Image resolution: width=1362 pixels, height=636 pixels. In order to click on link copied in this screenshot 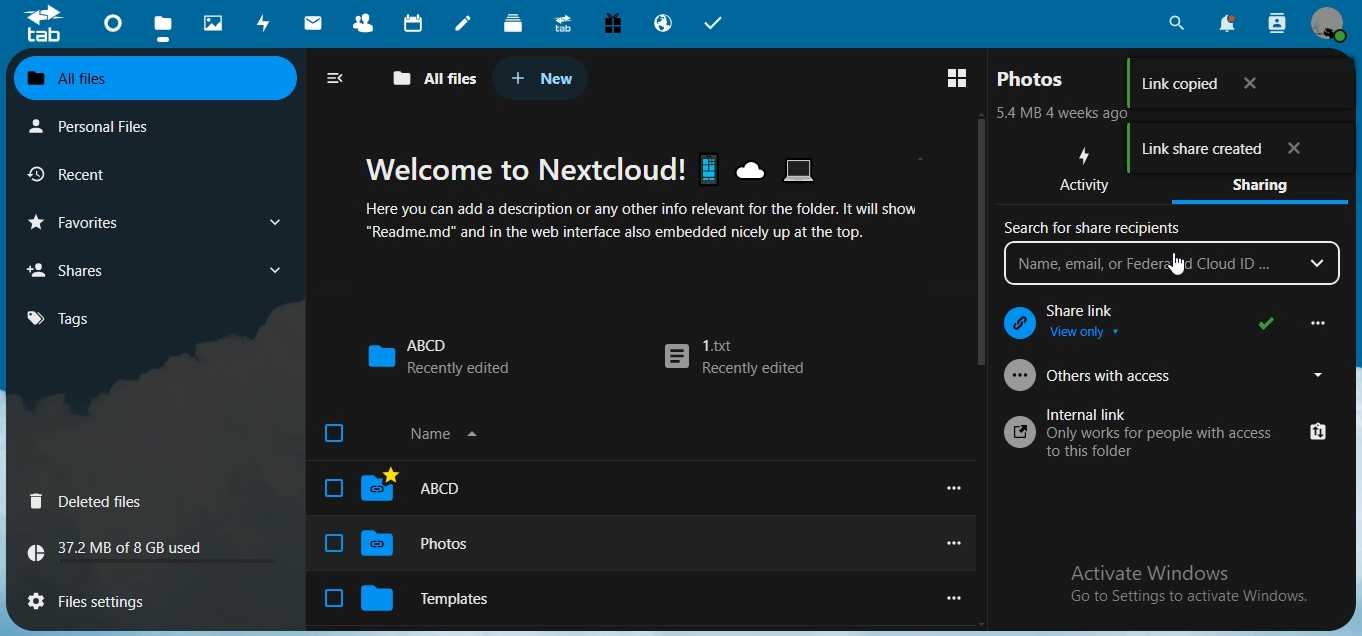, I will do `click(1234, 84)`.